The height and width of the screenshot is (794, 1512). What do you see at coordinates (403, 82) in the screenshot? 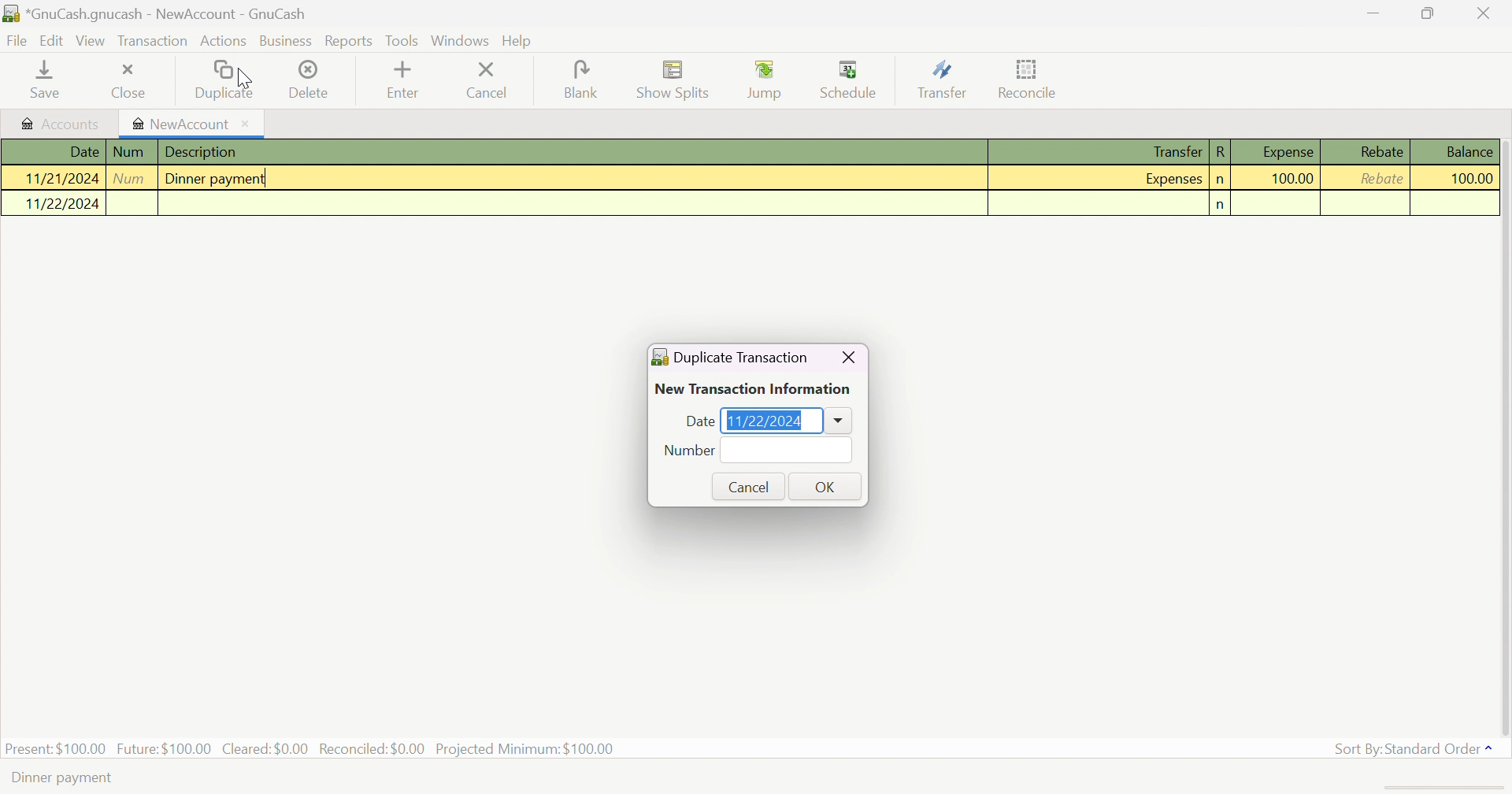
I see `Enter` at bounding box center [403, 82].